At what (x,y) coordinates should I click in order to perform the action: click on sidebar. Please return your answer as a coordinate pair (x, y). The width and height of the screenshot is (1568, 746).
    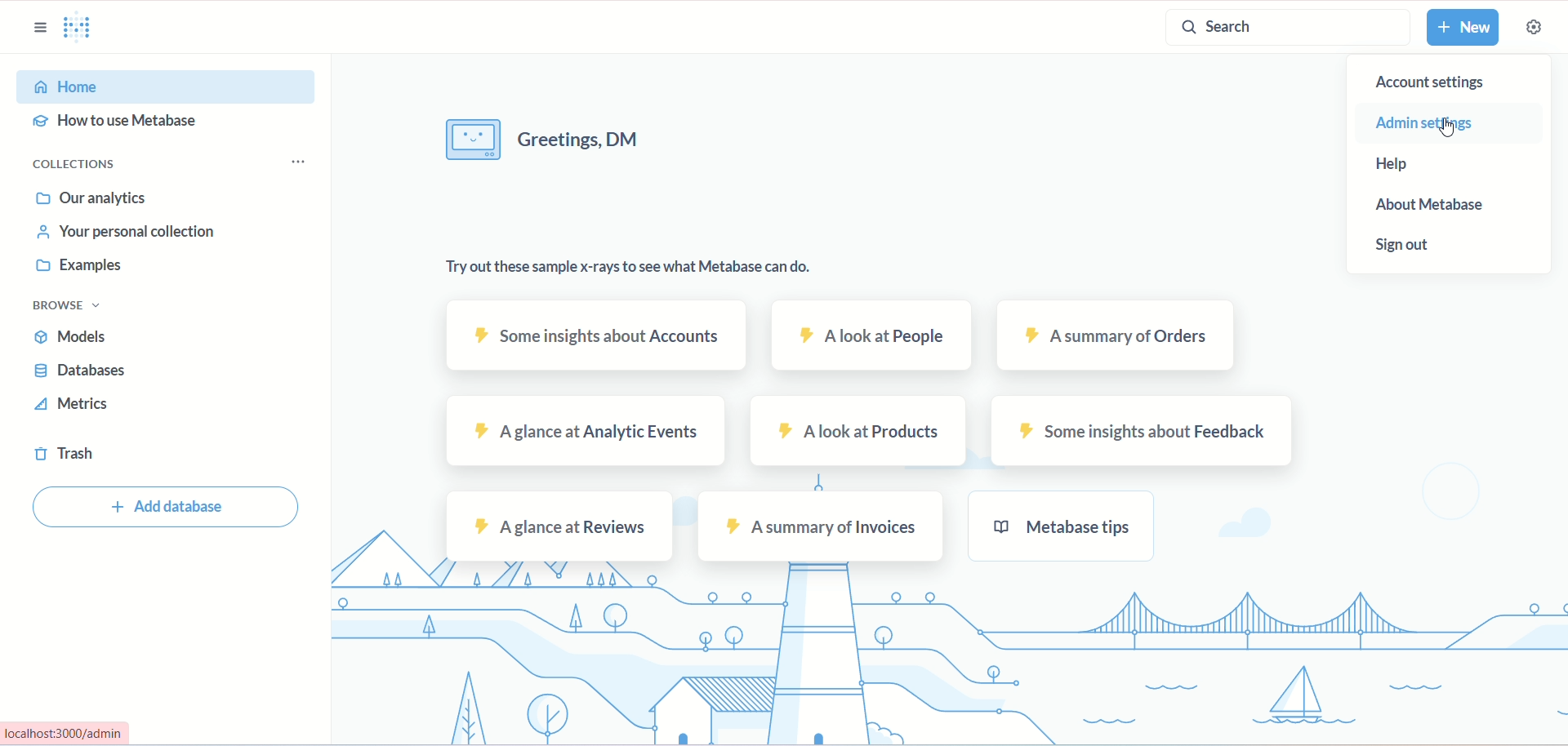
    Looking at the image, I should click on (30, 27).